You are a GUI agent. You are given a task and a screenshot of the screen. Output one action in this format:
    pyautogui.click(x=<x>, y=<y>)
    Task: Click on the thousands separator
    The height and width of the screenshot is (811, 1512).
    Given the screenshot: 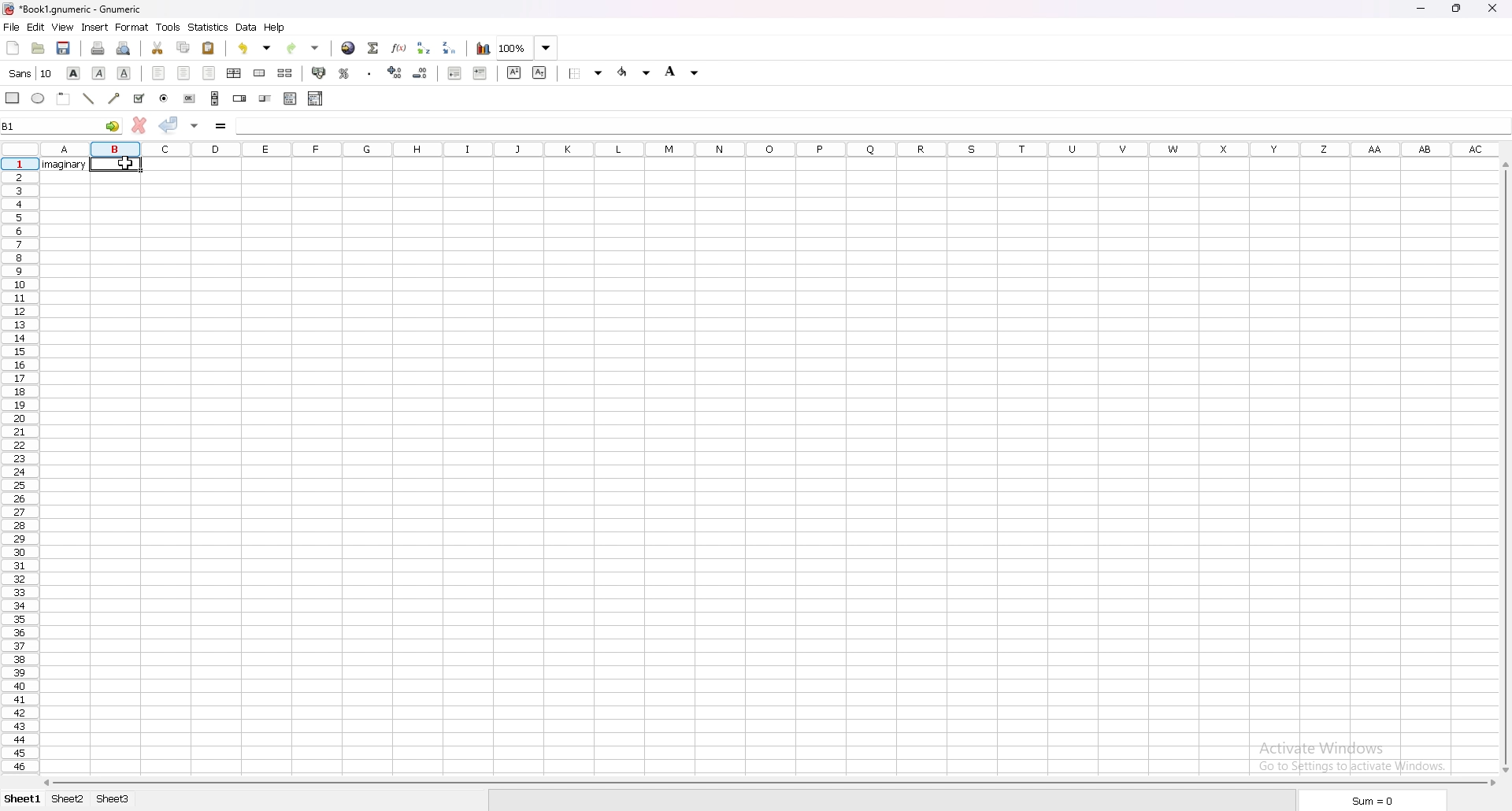 What is the action you would take?
    pyautogui.click(x=371, y=72)
    